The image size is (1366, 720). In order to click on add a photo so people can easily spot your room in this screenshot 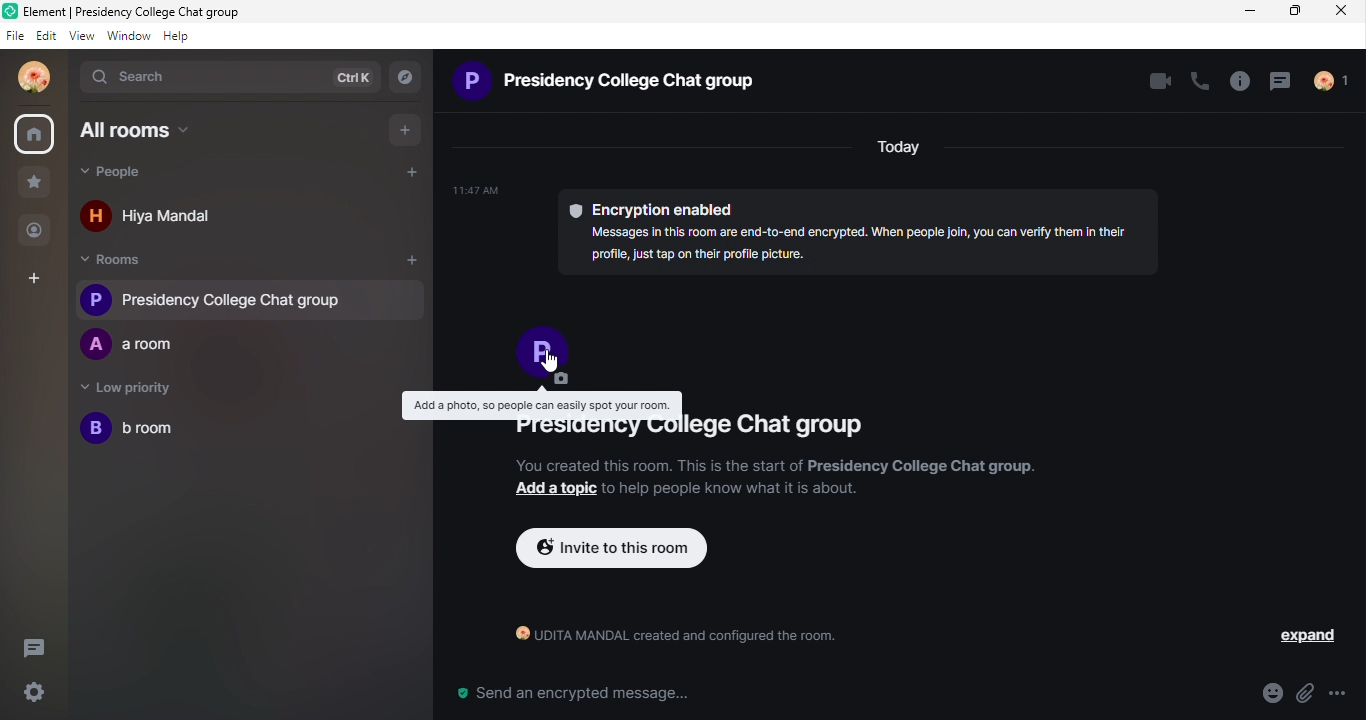, I will do `click(543, 368)`.